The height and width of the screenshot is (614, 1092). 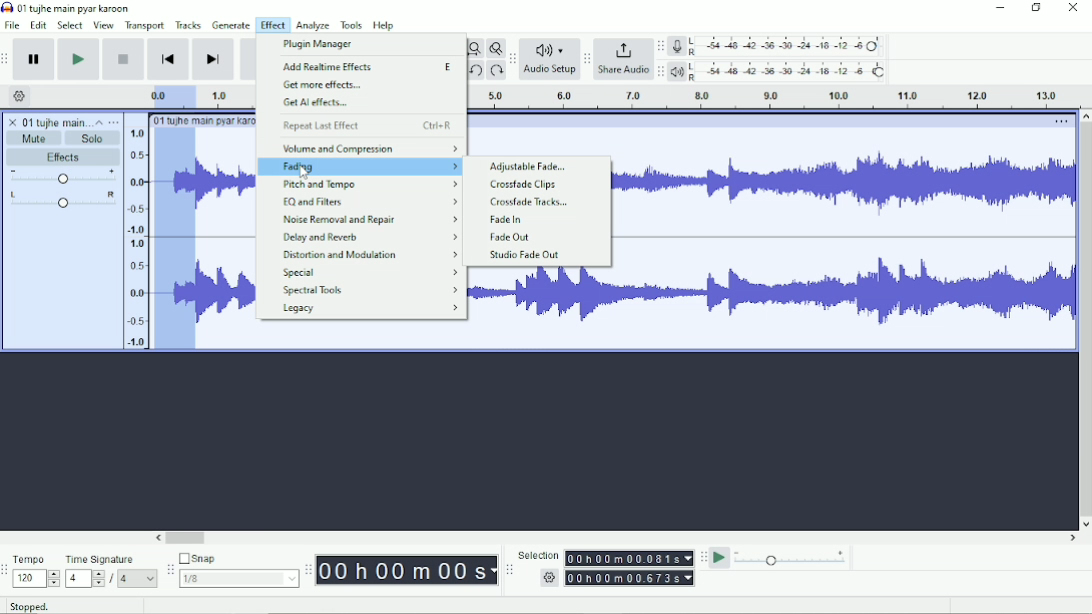 What do you see at coordinates (721, 558) in the screenshot?
I see `Play-at-speed` at bounding box center [721, 558].